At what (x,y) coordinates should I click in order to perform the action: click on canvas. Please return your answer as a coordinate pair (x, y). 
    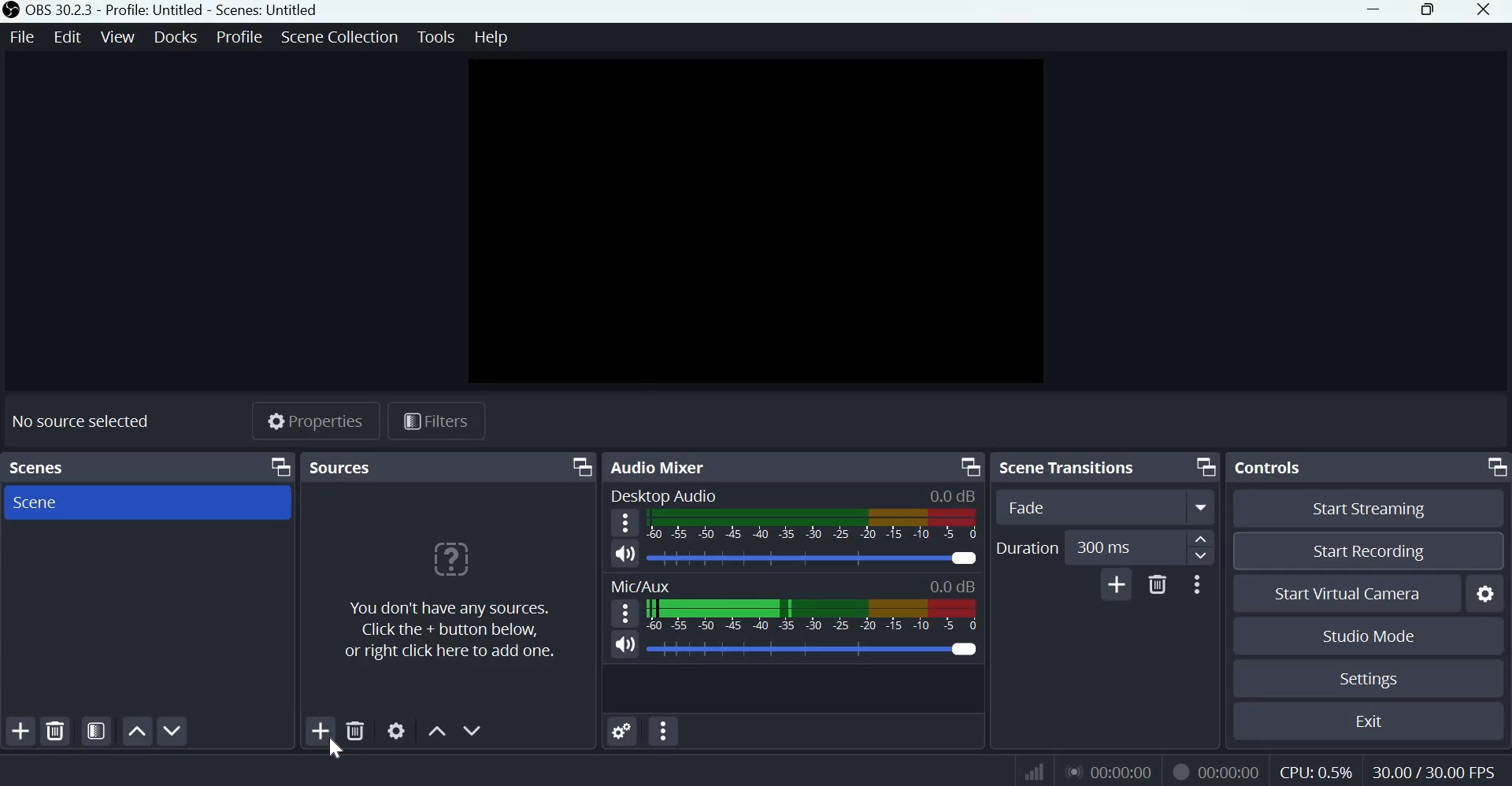
    Looking at the image, I should click on (755, 222).